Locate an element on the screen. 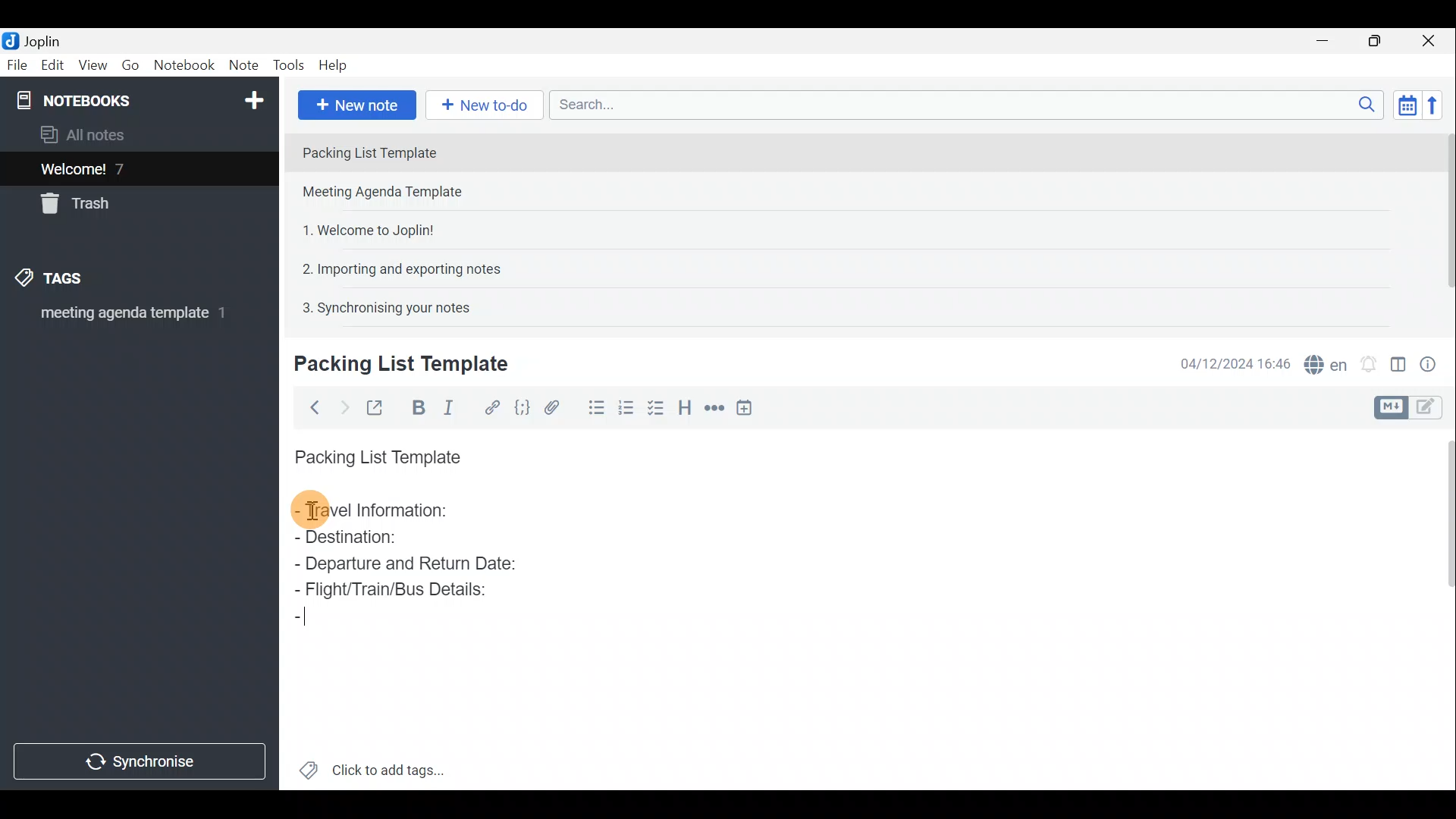 Image resolution: width=1456 pixels, height=819 pixels. Bulleted list is located at coordinates (593, 410).